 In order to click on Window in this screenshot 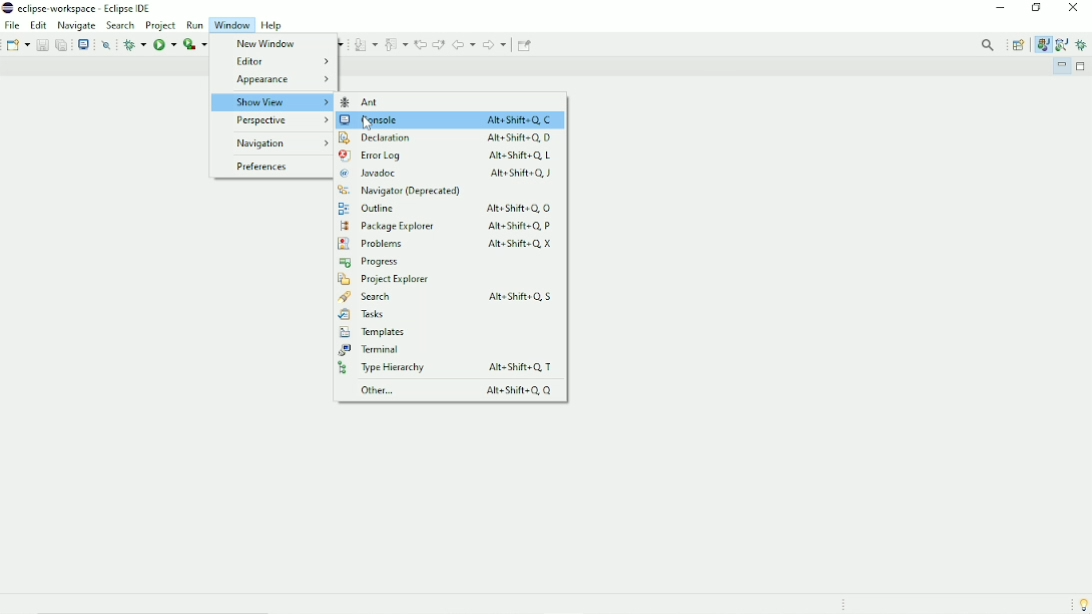, I will do `click(232, 25)`.